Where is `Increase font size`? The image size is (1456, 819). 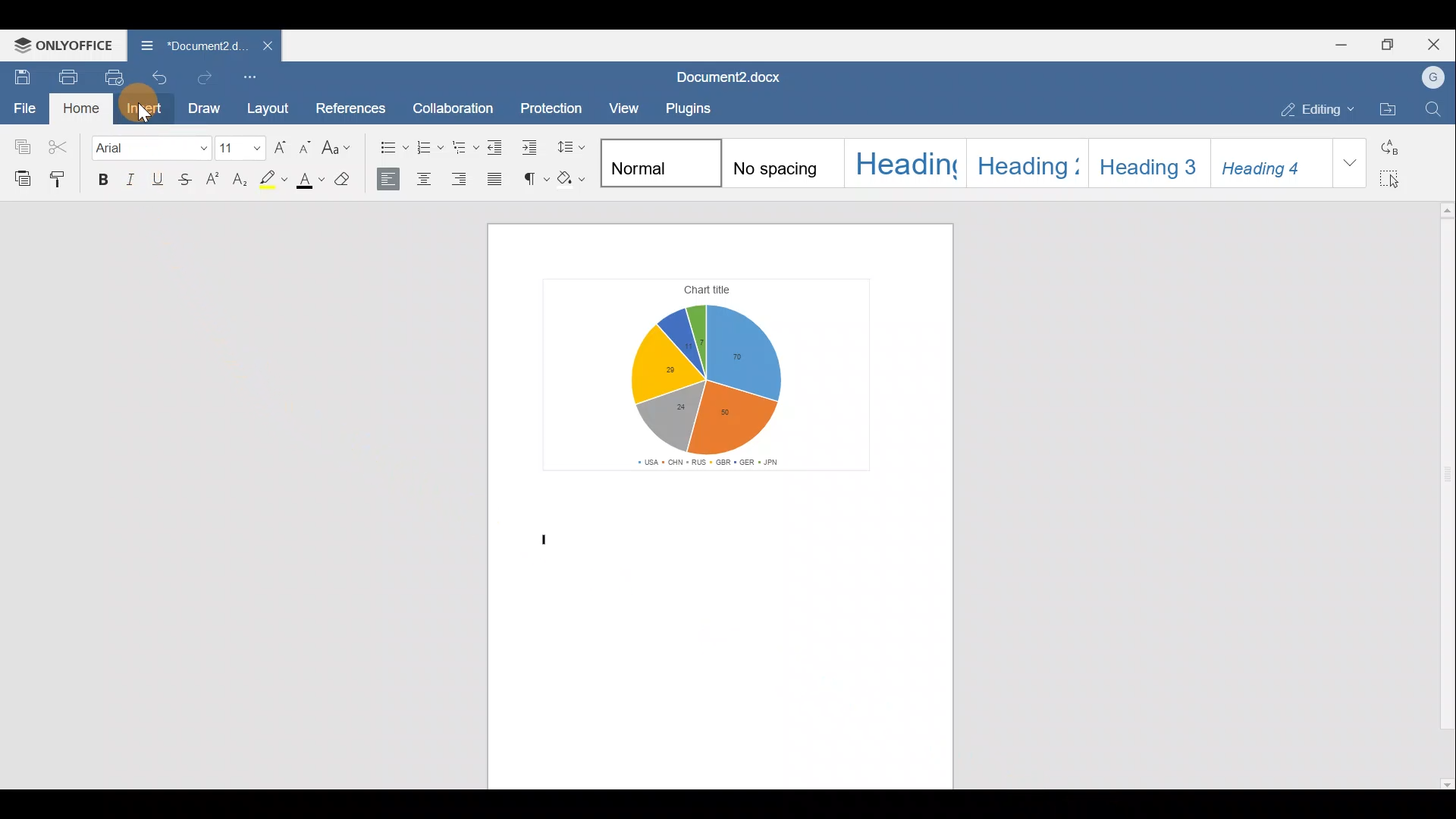 Increase font size is located at coordinates (283, 149).